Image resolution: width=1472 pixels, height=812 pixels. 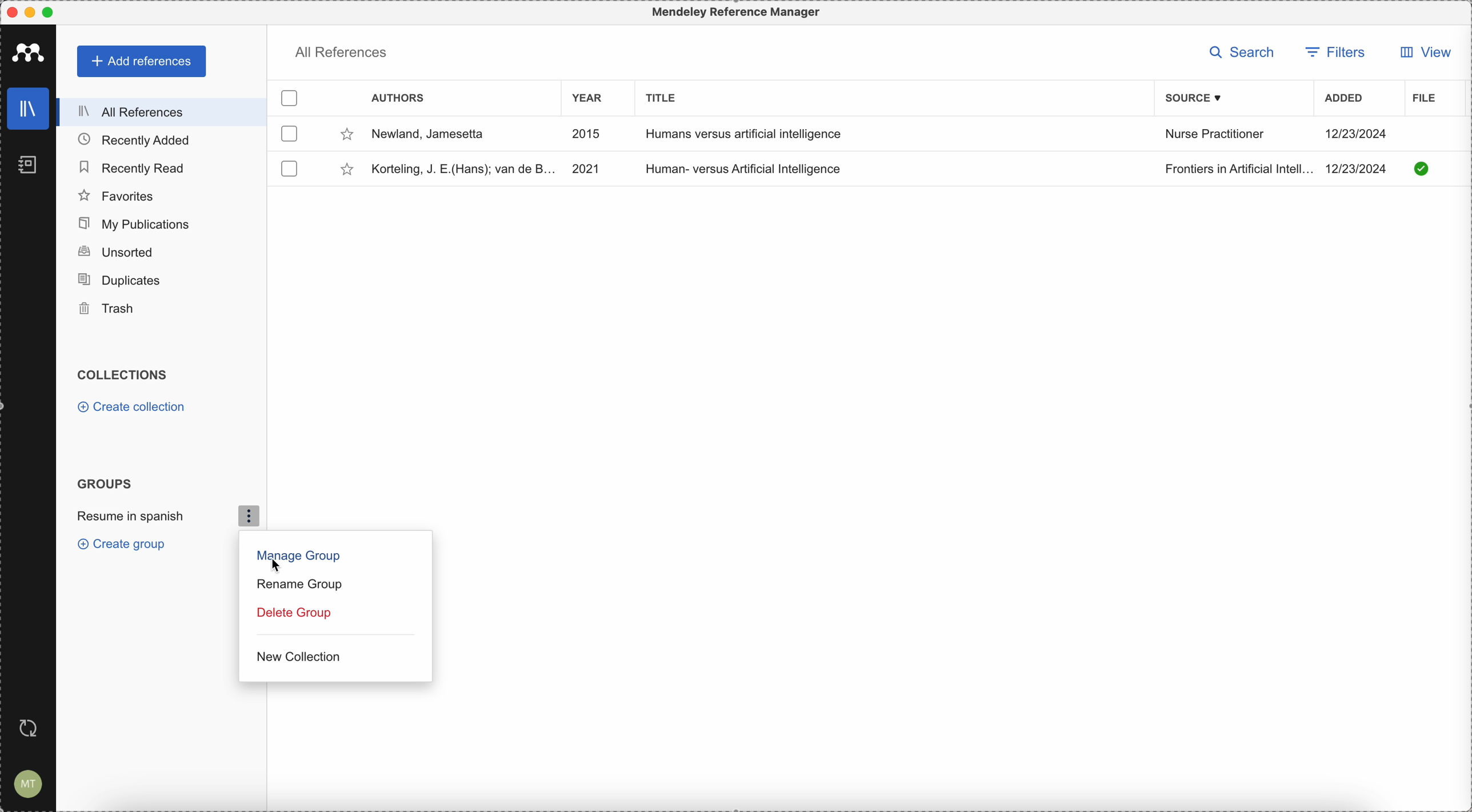 What do you see at coordinates (29, 52) in the screenshot?
I see `Mendeley logo` at bounding box center [29, 52].